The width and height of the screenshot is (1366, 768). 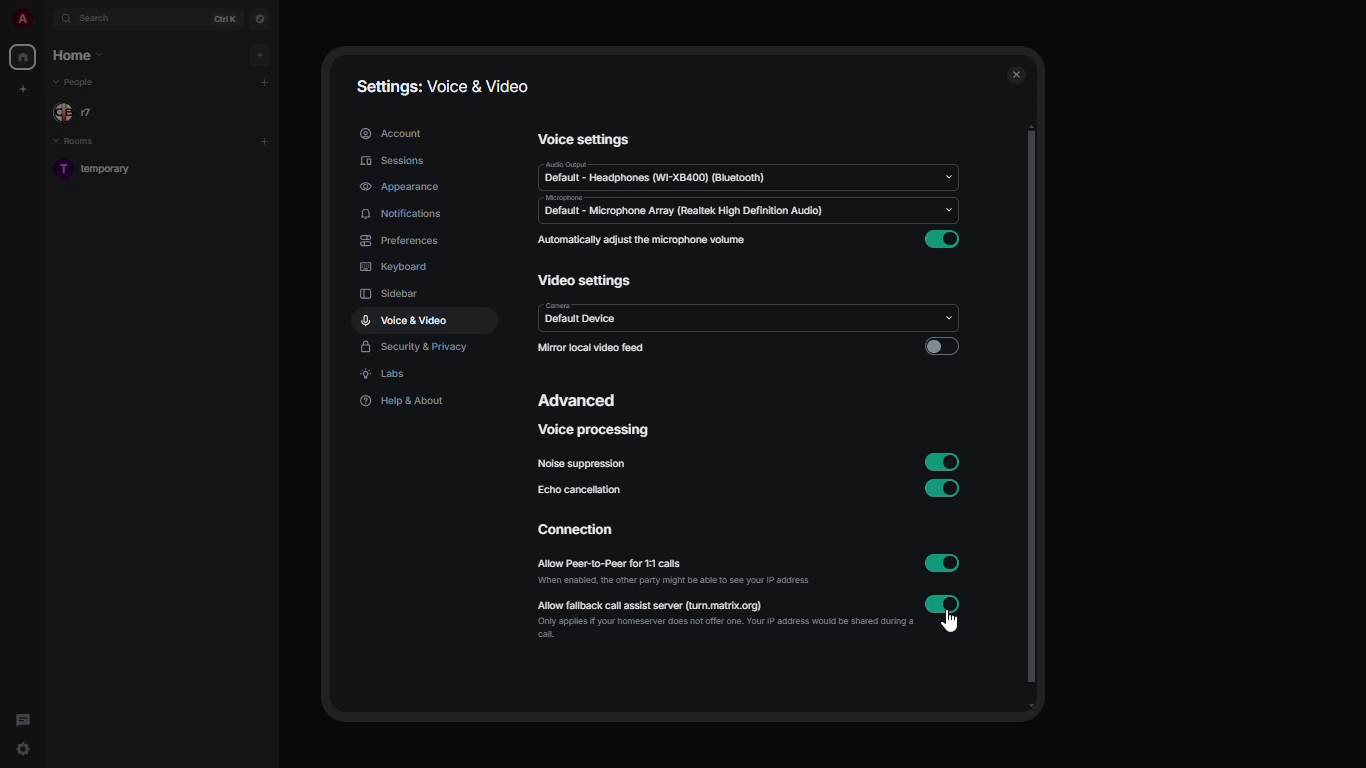 I want to click on labs, so click(x=386, y=376).